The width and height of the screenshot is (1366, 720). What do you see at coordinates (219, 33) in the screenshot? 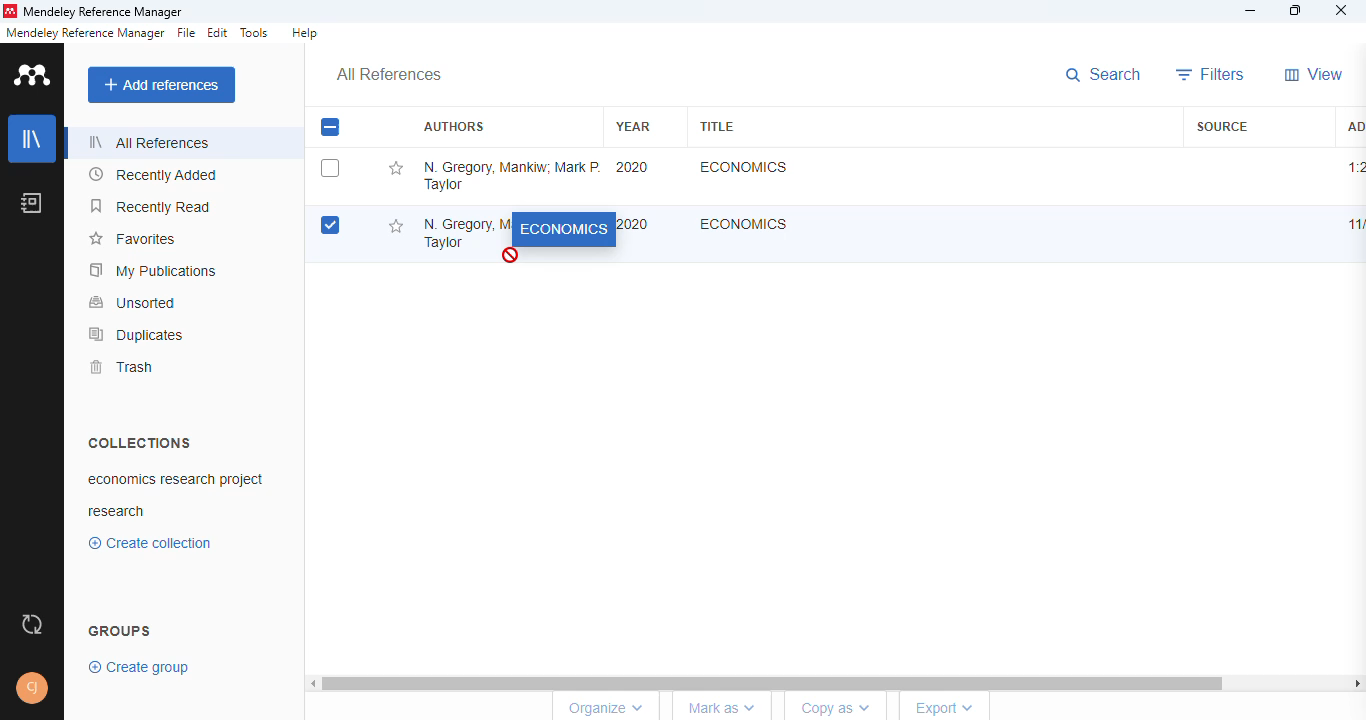
I see `edit` at bounding box center [219, 33].